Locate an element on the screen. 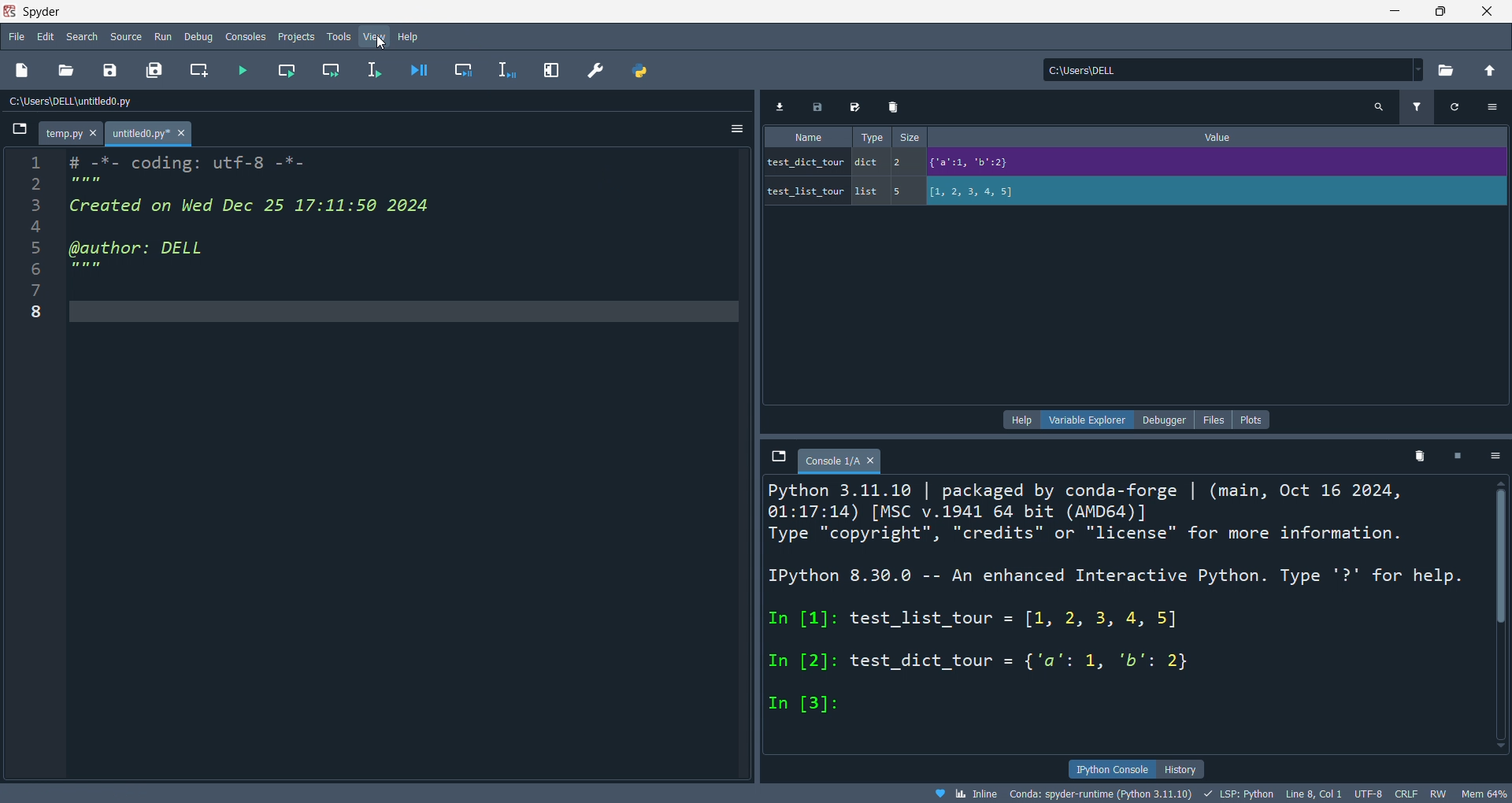 This screenshot has height=803, width=1512. save all is located at coordinates (154, 71).